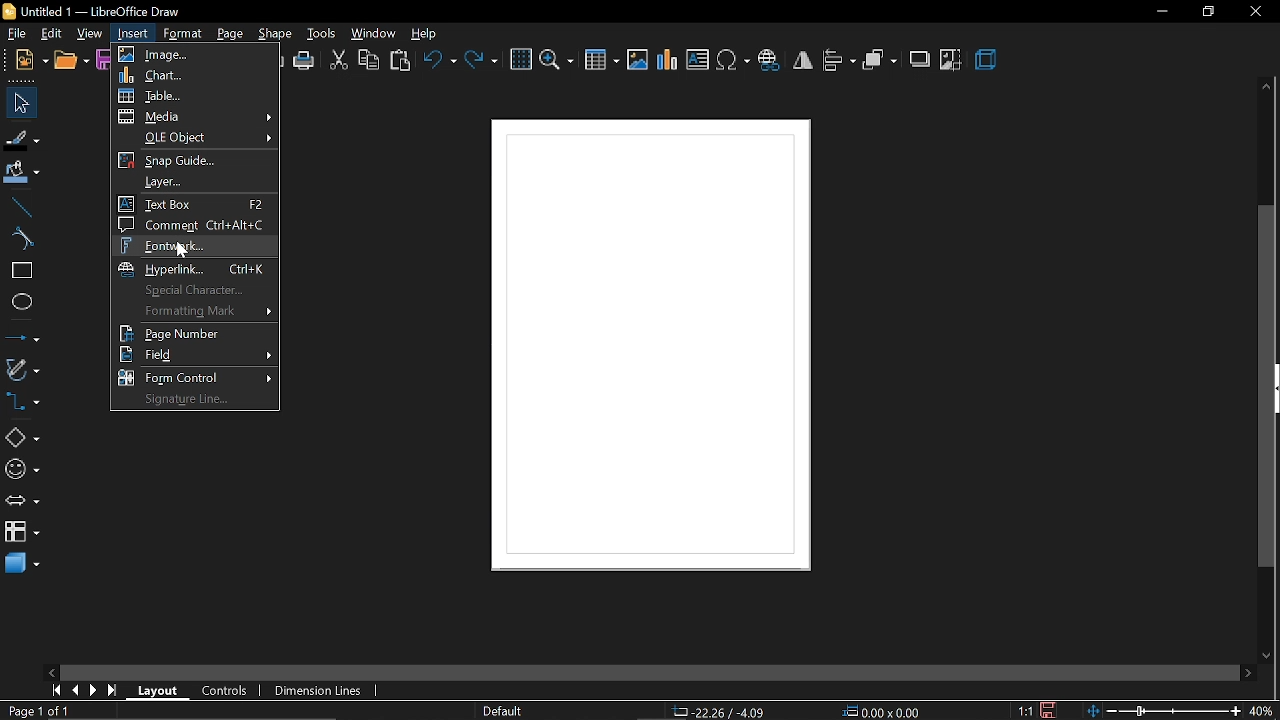 The image size is (1280, 720). I want to click on format, so click(183, 33).